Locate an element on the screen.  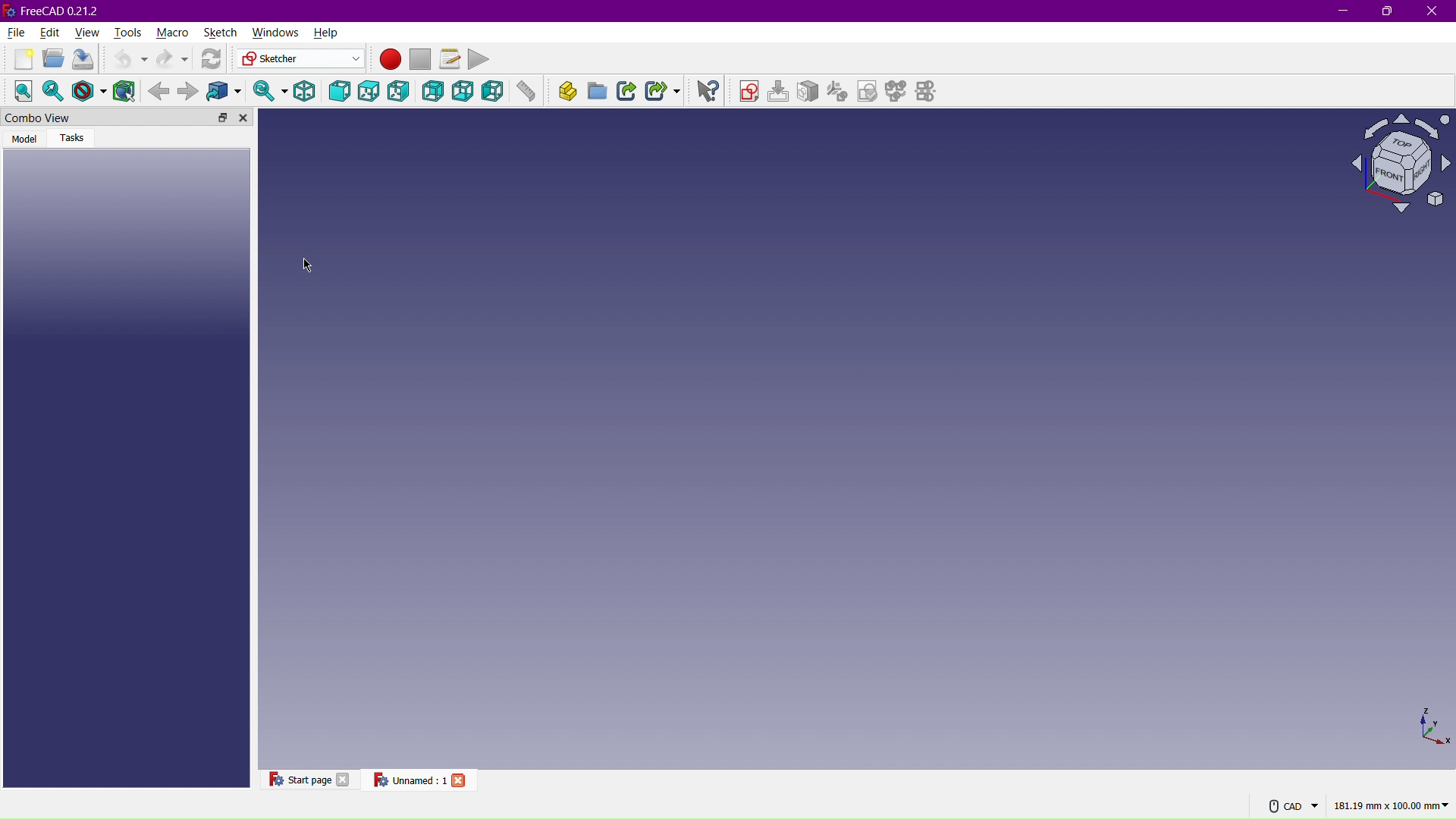
Validate sketch is located at coordinates (868, 93).